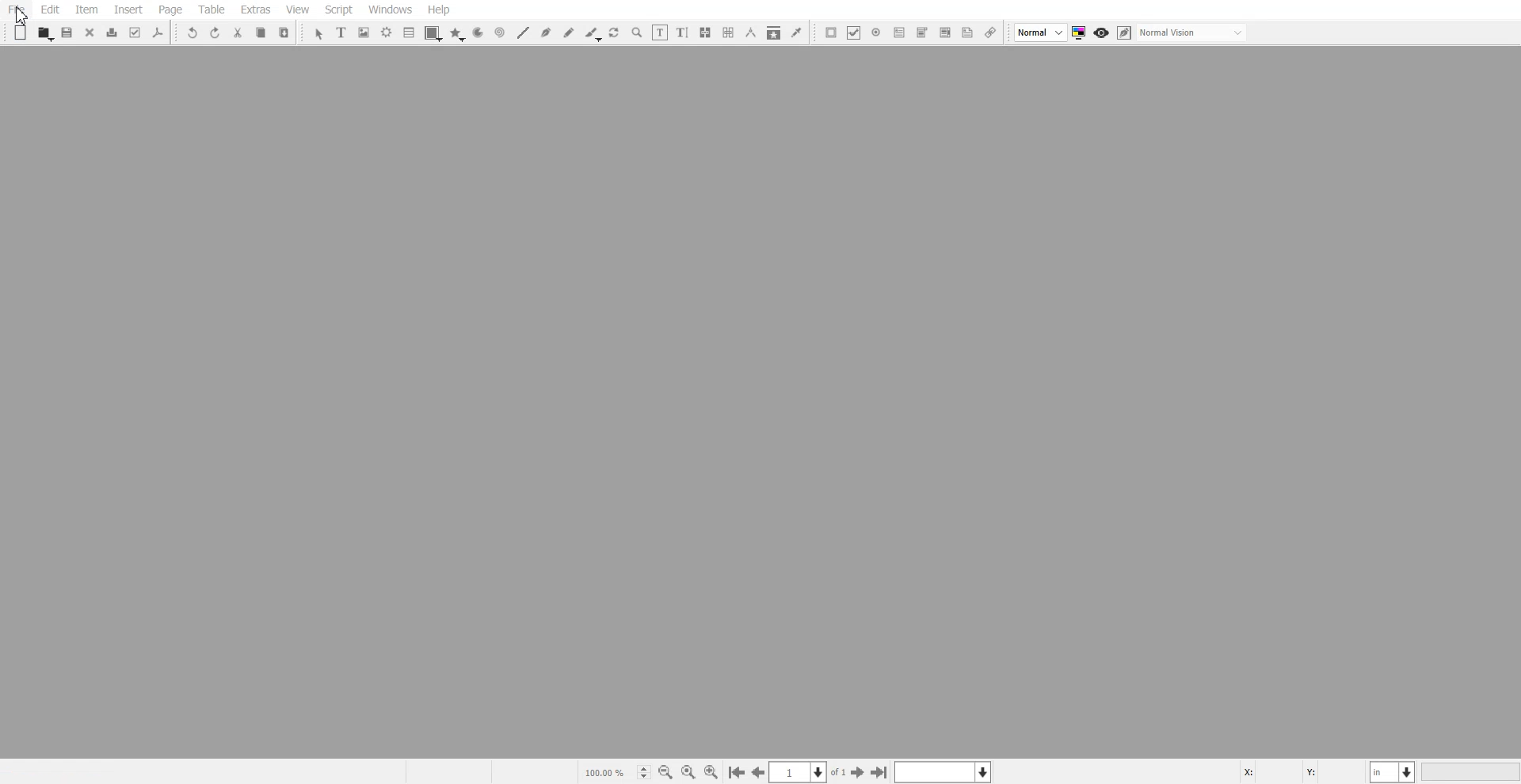 The image size is (1521, 784). Describe the element at coordinates (17, 10) in the screenshot. I see `File` at that location.